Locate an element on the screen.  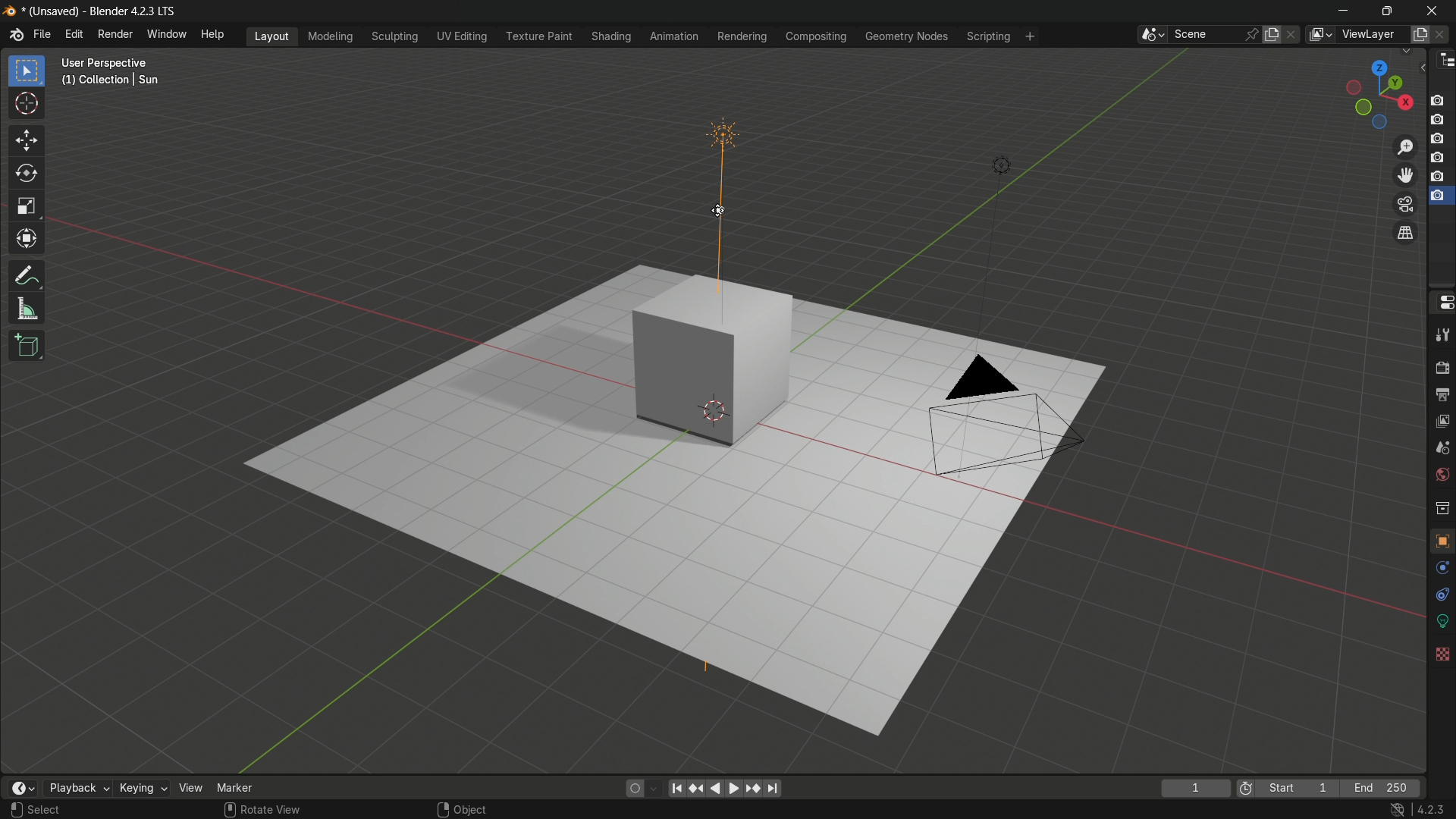
select box is located at coordinates (27, 71).